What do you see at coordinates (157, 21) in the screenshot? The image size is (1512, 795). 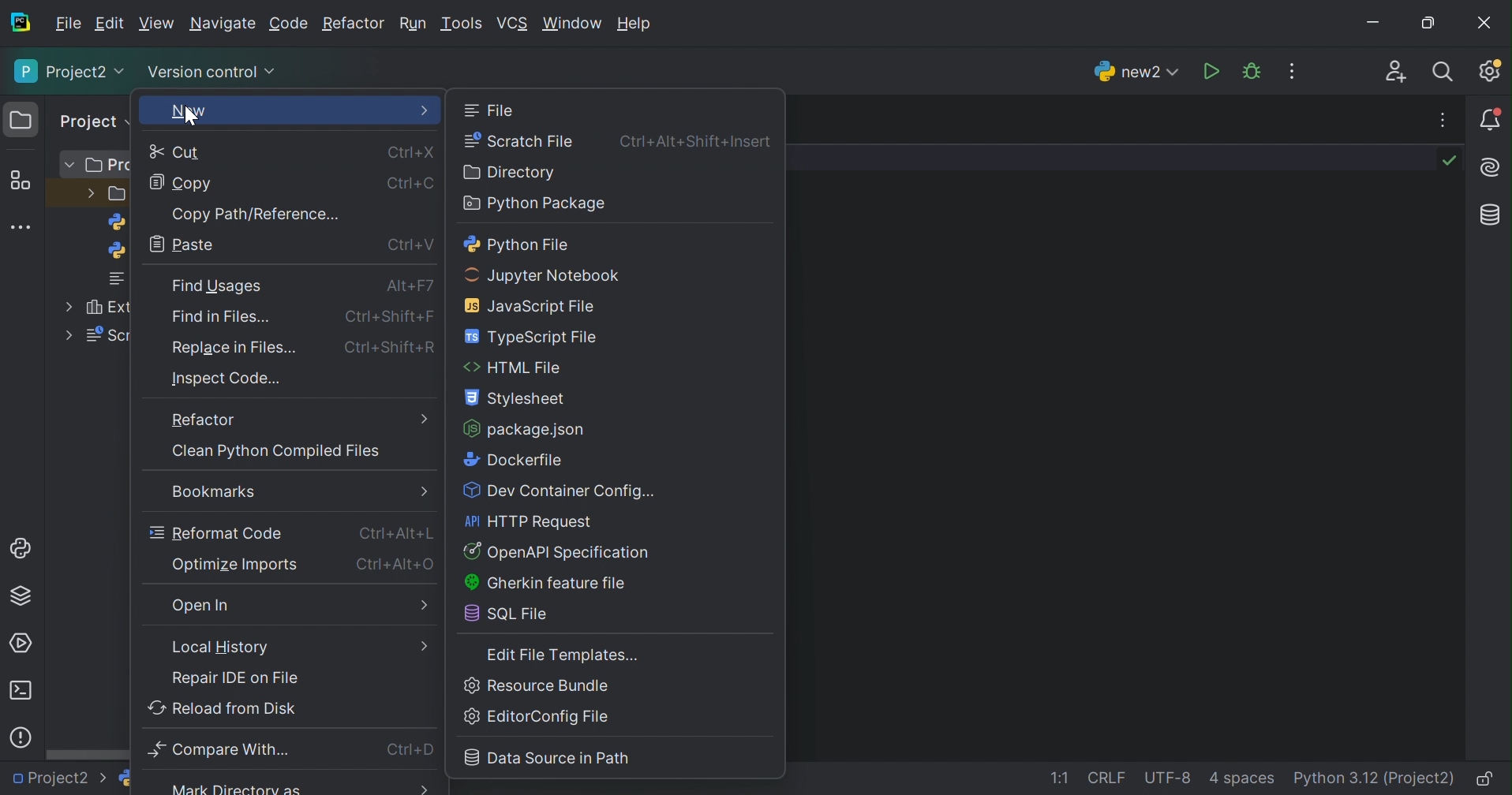 I see `Edit` at bounding box center [157, 21].